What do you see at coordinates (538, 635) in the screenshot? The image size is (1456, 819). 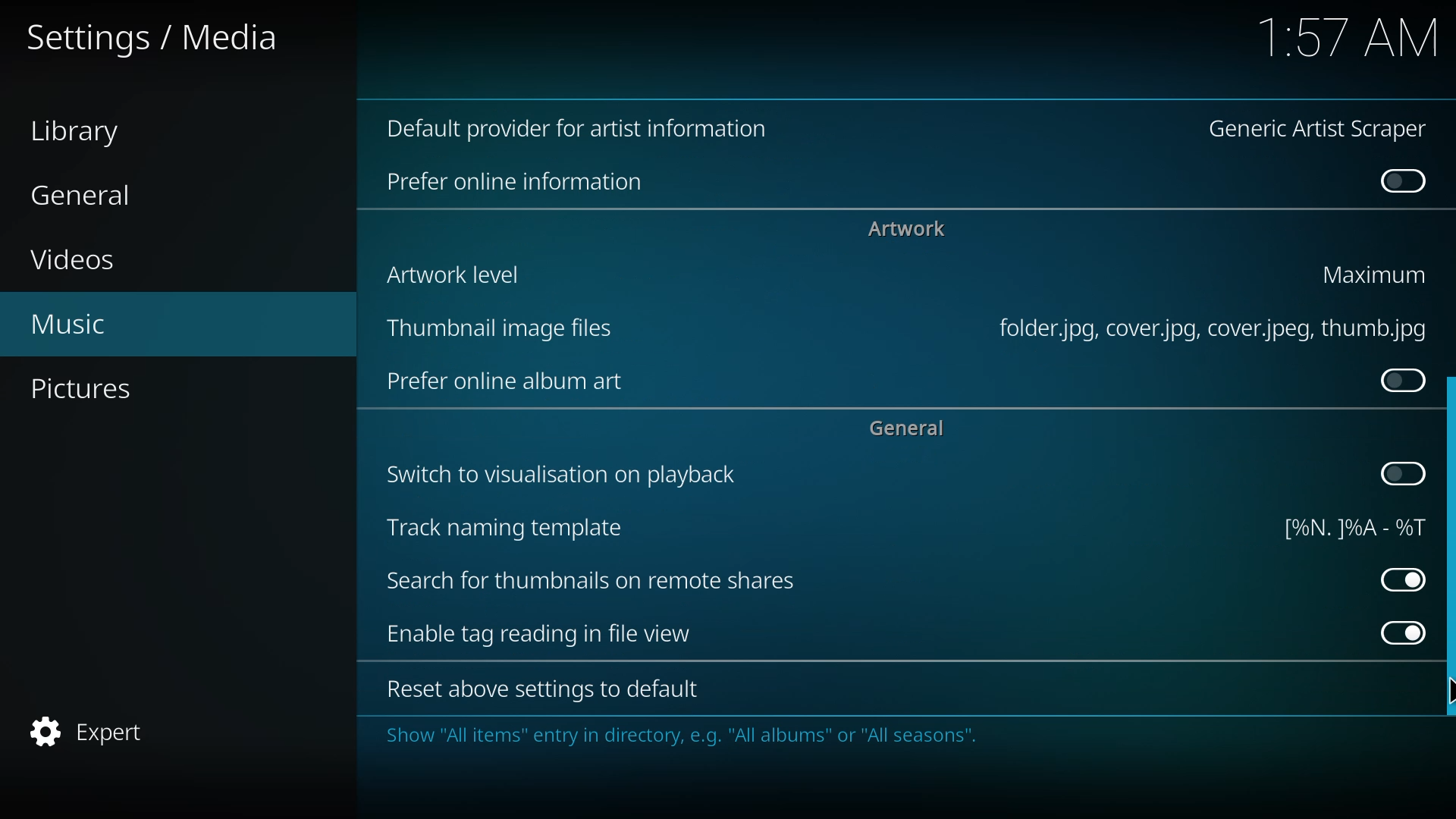 I see `enable tag reading` at bounding box center [538, 635].